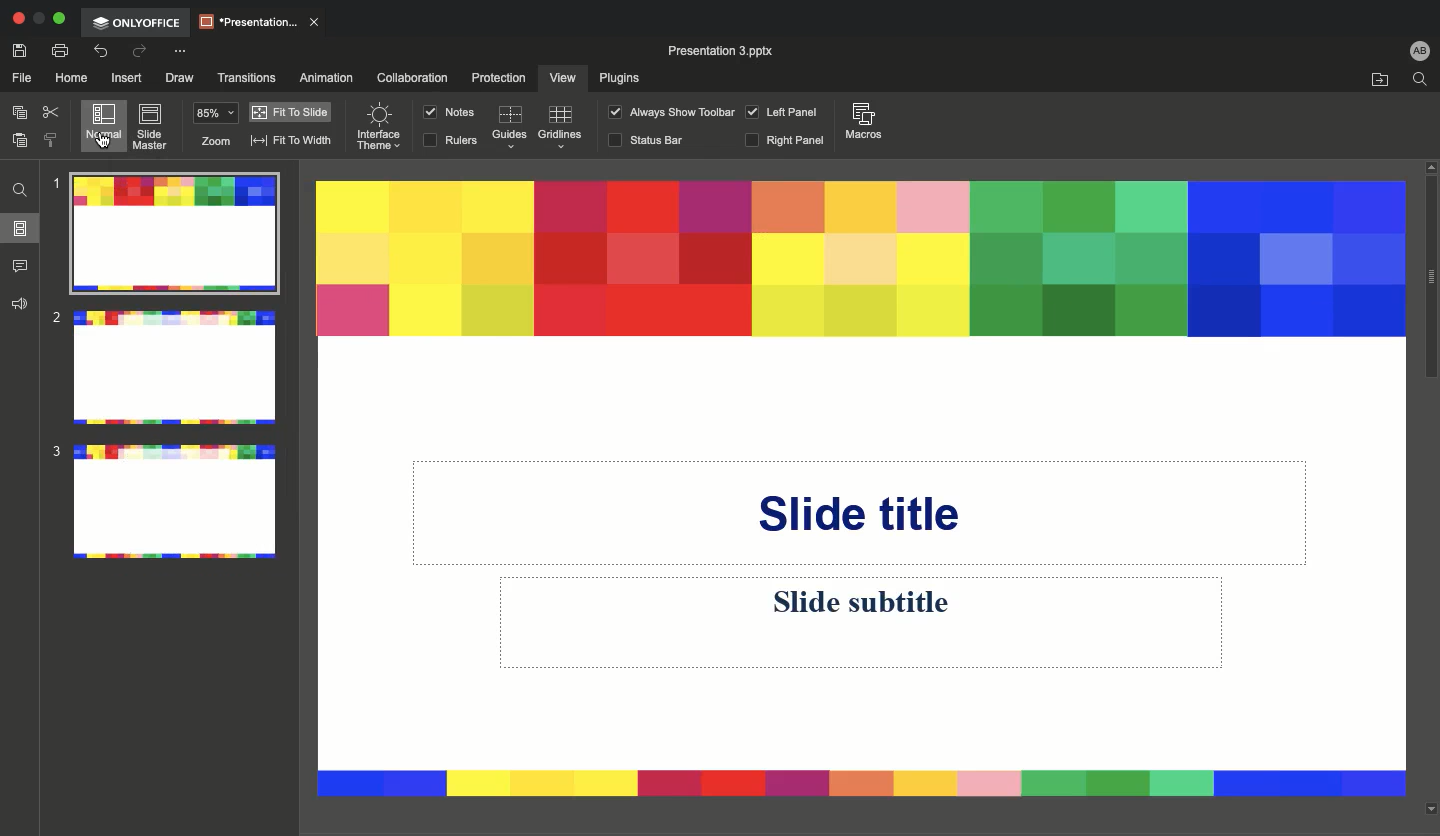  I want to click on Comments, so click(23, 267).